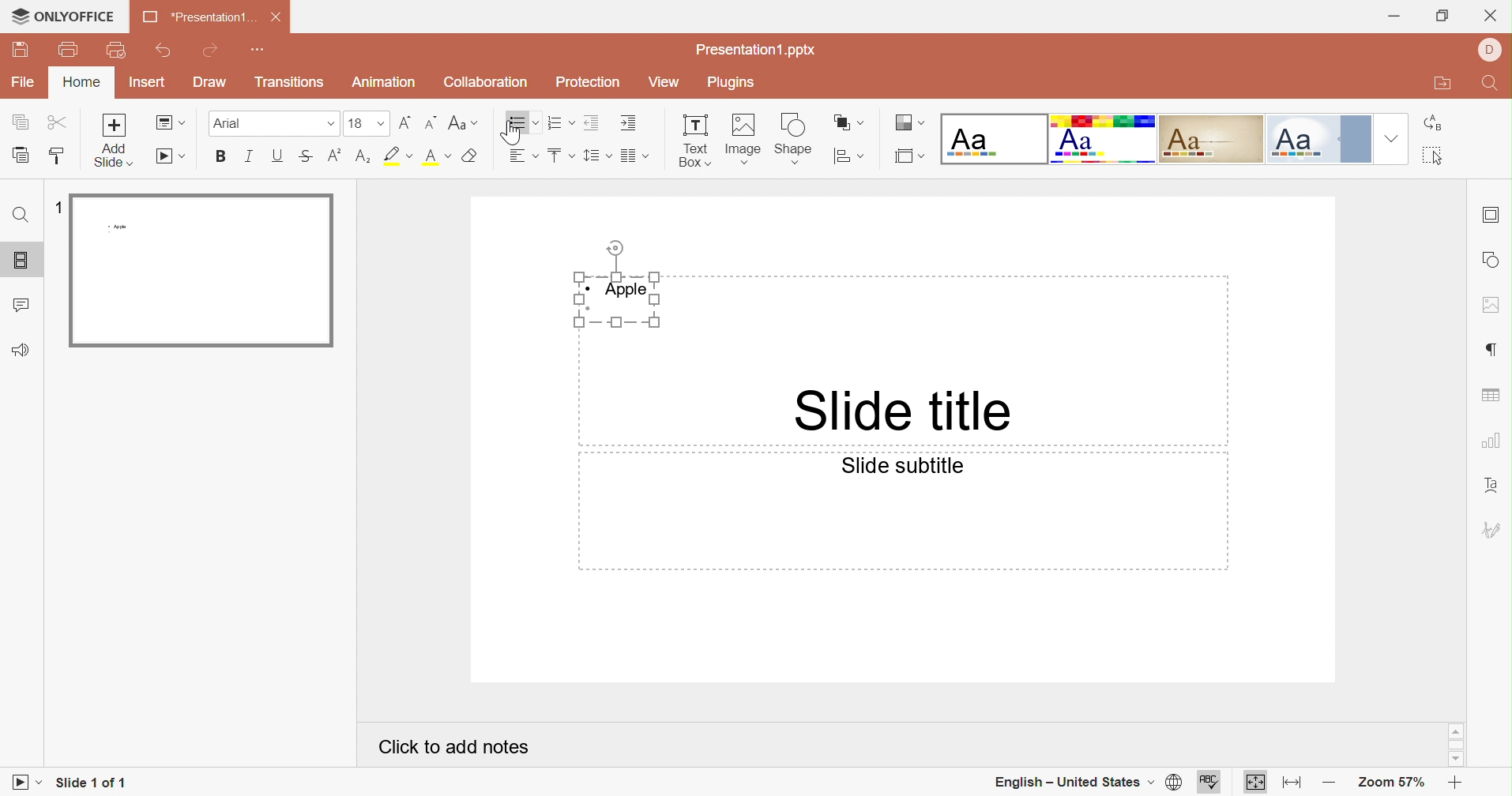 Image resolution: width=1512 pixels, height=796 pixels. I want to click on Presentation1.pptx, so click(762, 50).